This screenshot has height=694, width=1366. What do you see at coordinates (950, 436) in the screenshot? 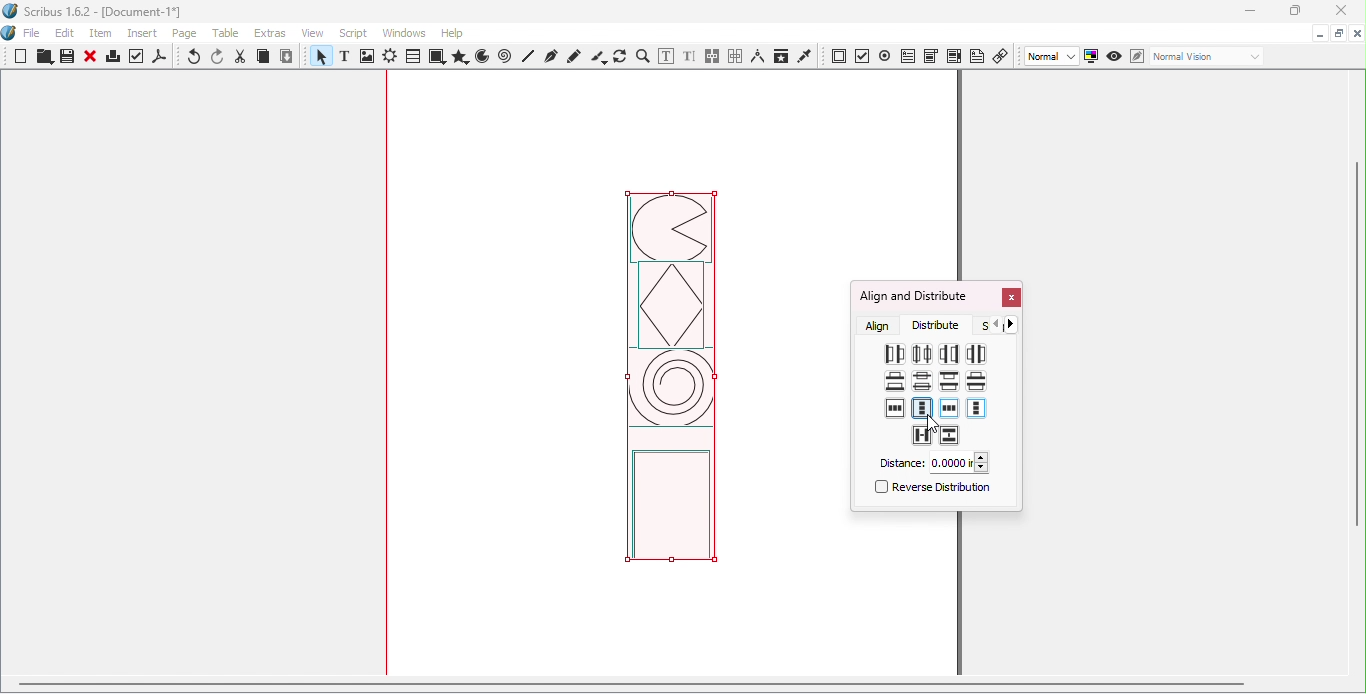
I see `Make vertical gaps between items equal to the value specified` at bounding box center [950, 436].